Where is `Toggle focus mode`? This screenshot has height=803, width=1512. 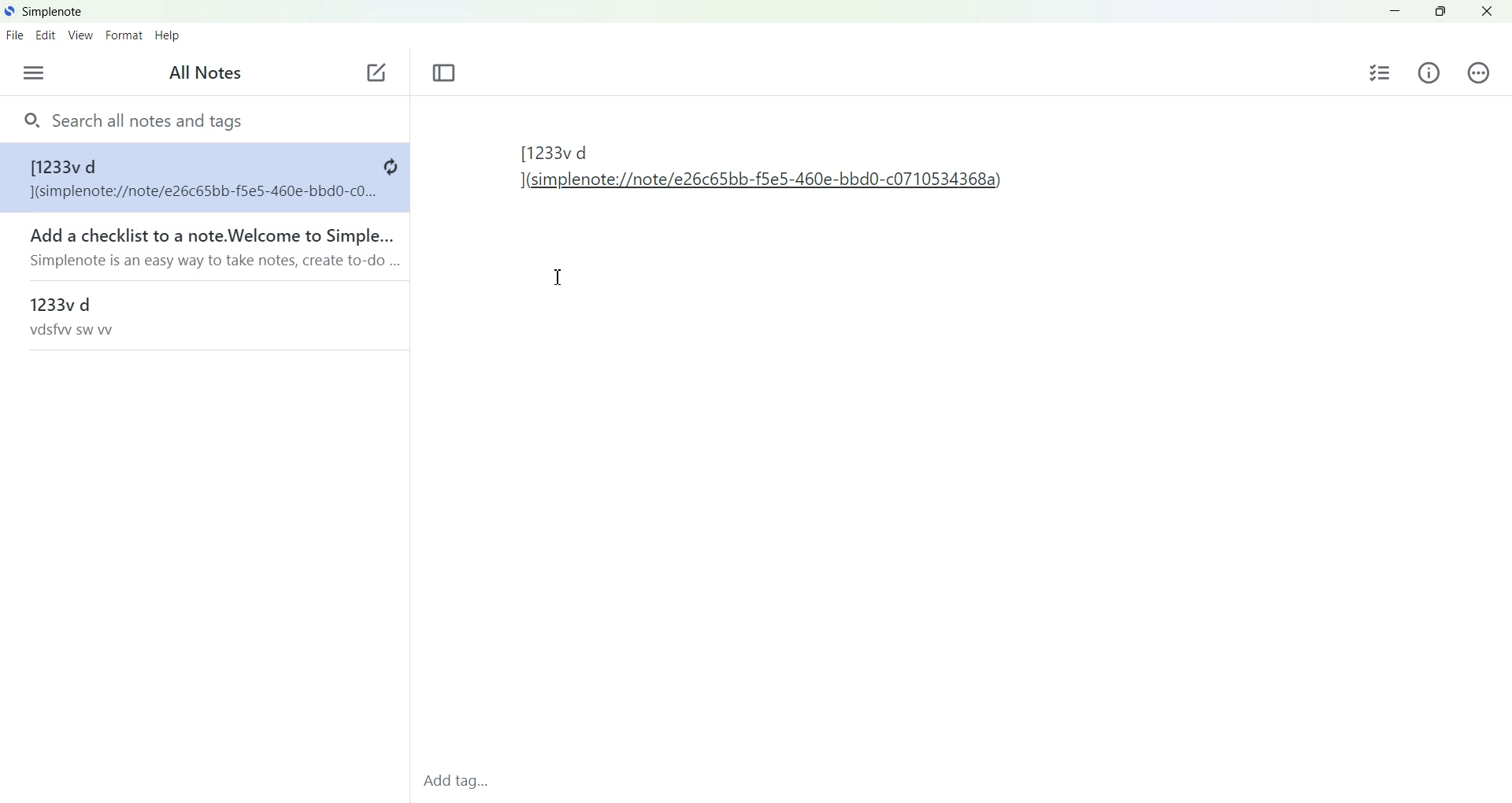 Toggle focus mode is located at coordinates (445, 73).